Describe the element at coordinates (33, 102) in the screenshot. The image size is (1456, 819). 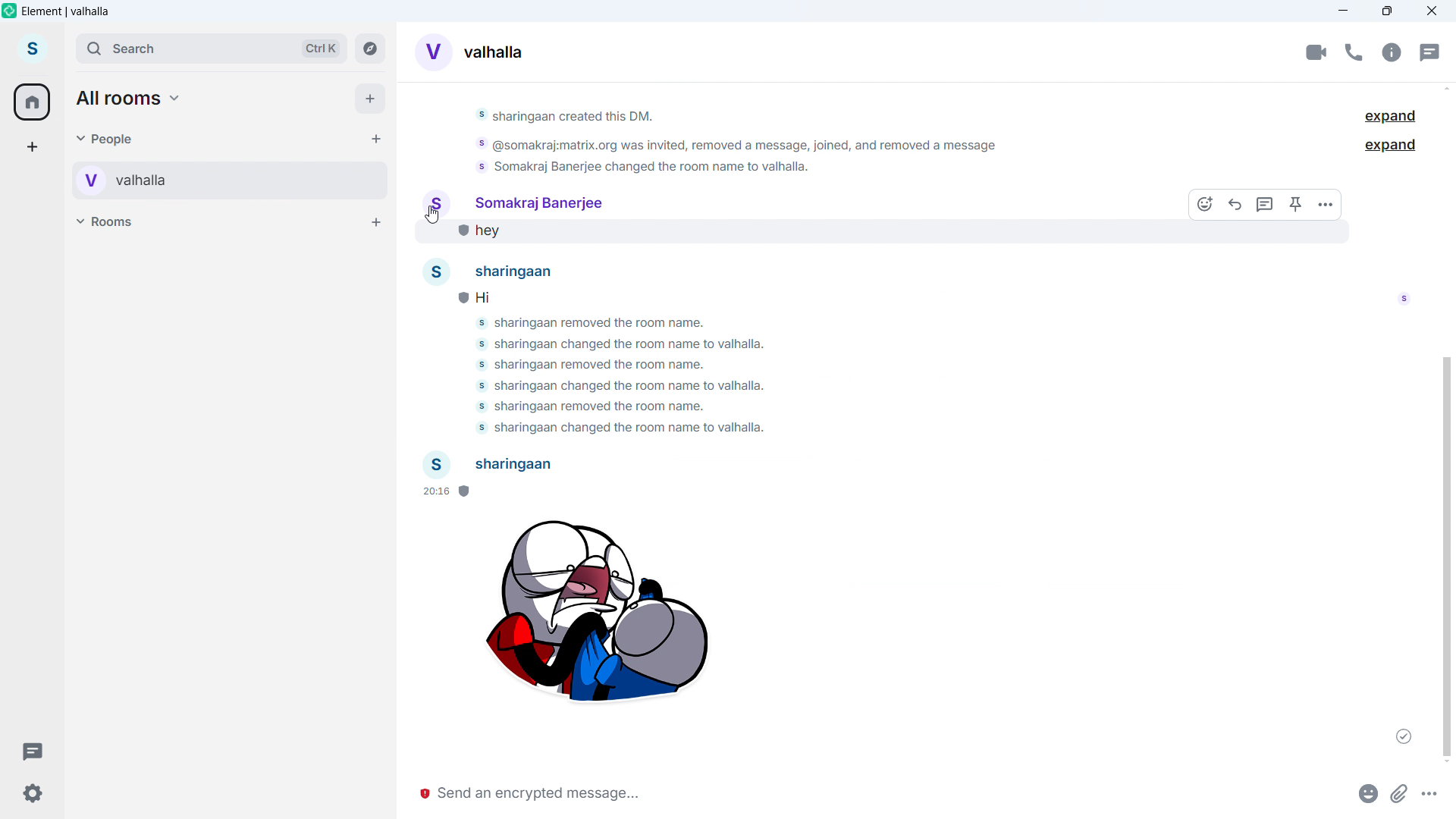
I see `home` at that location.